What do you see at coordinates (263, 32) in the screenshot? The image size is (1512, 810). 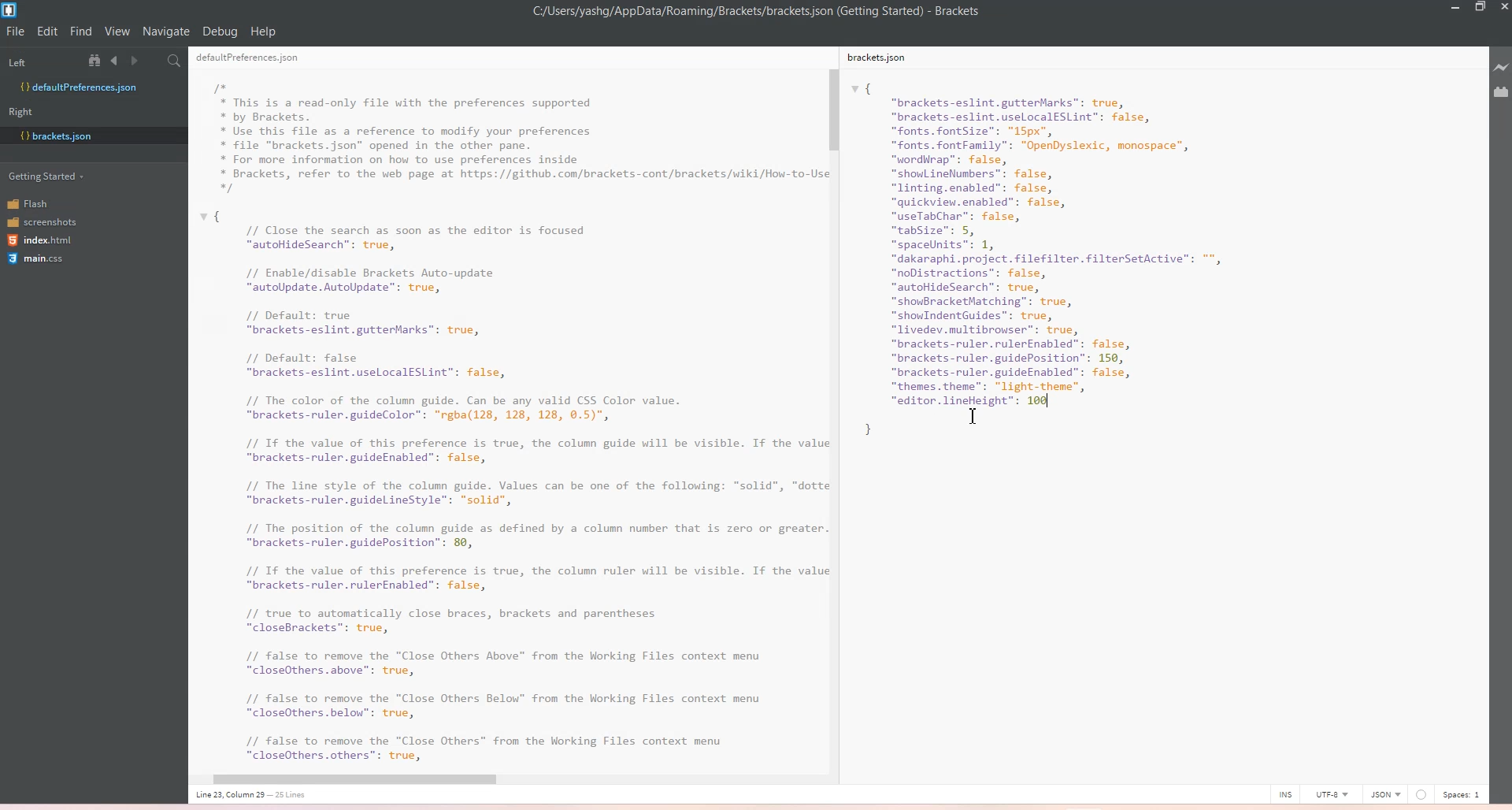 I see `Help` at bounding box center [263, 32].